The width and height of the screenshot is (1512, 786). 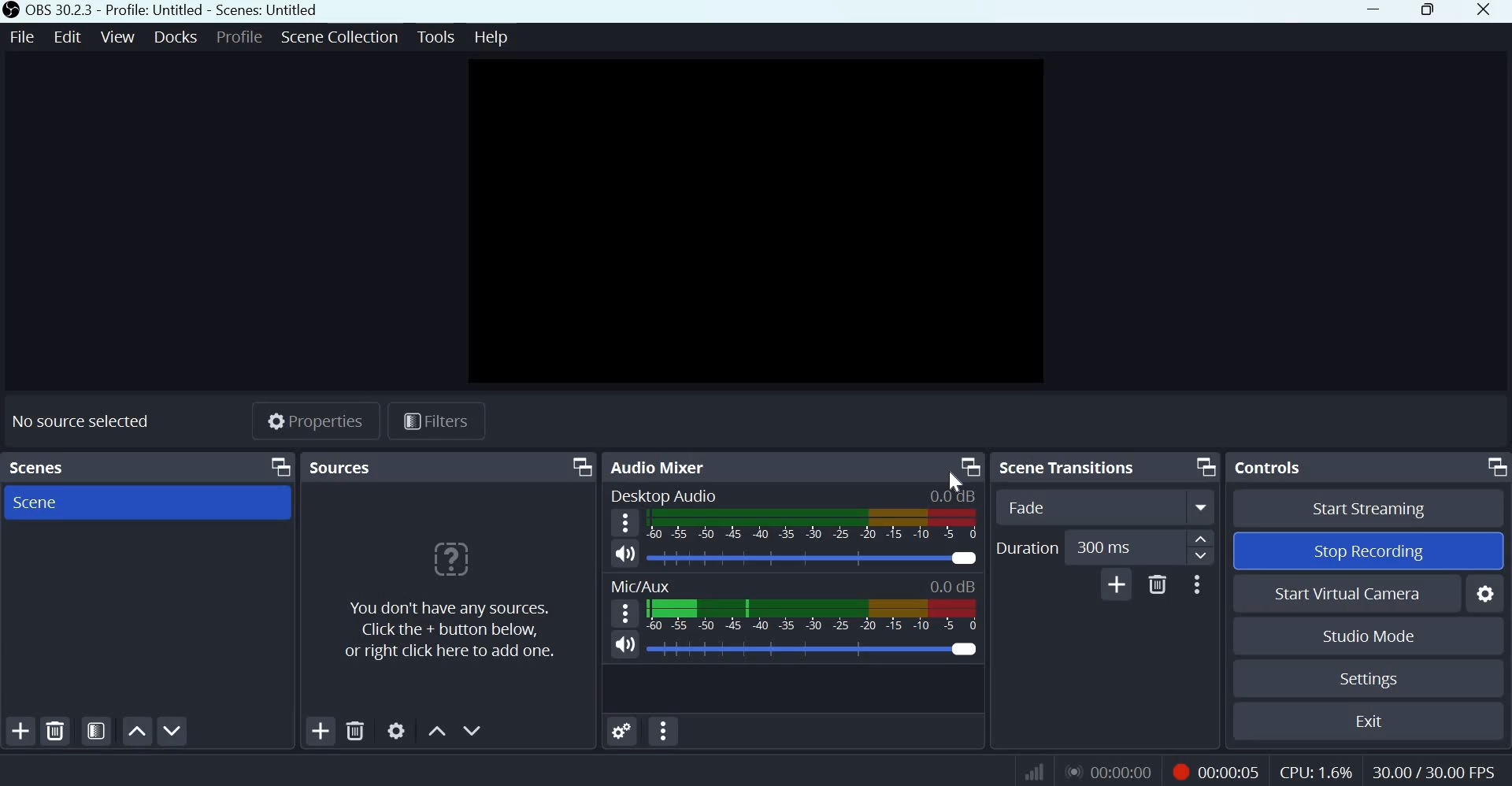 What do you see at coordinates (312, 421) in the screenshot?
I see `Properties` at bounding box center [312, 421].